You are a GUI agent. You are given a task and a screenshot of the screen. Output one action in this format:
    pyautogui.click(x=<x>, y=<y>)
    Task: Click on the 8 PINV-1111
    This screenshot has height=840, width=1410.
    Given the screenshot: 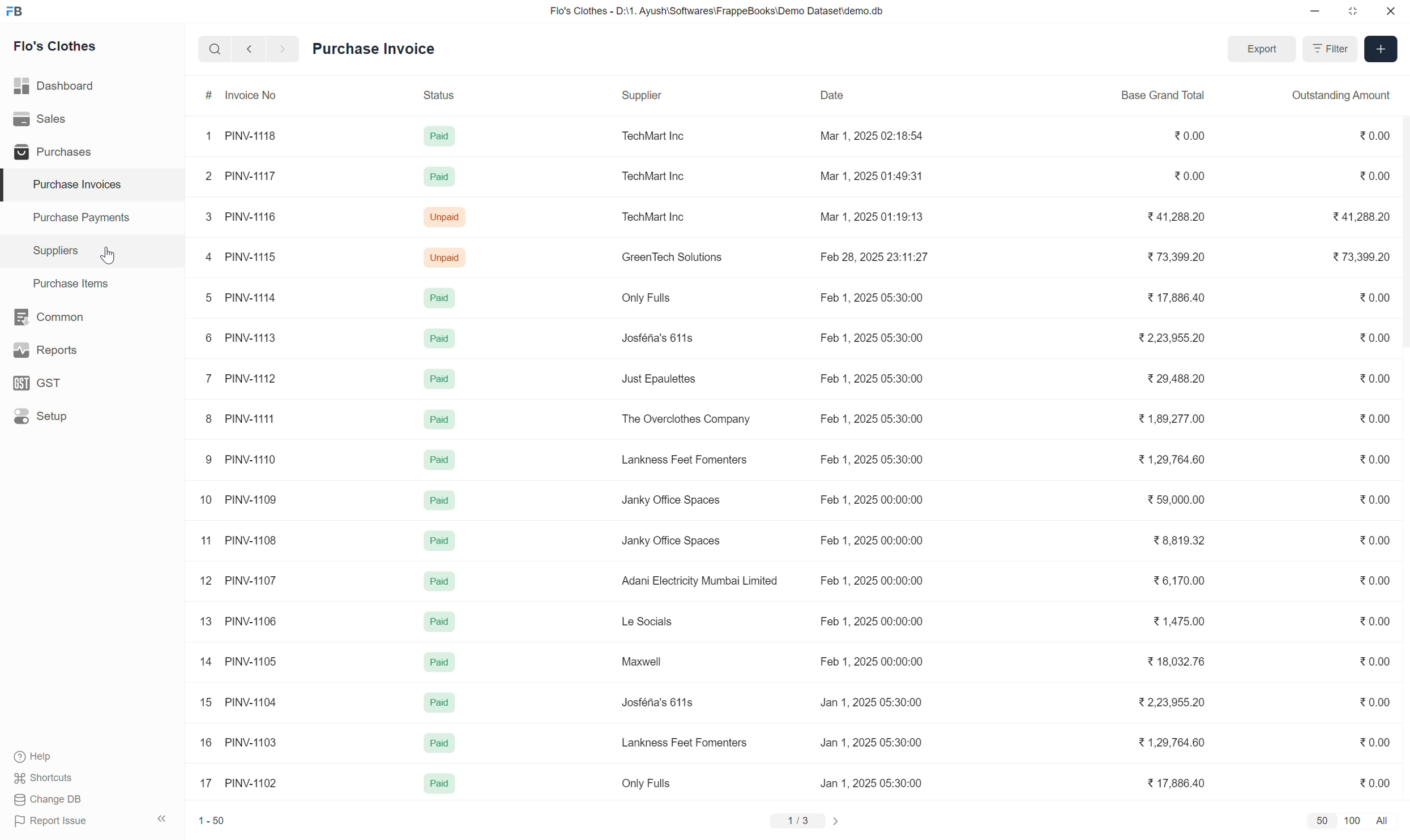 What is the action you would take?
    pyautogui.click(x=240, y=417)
    